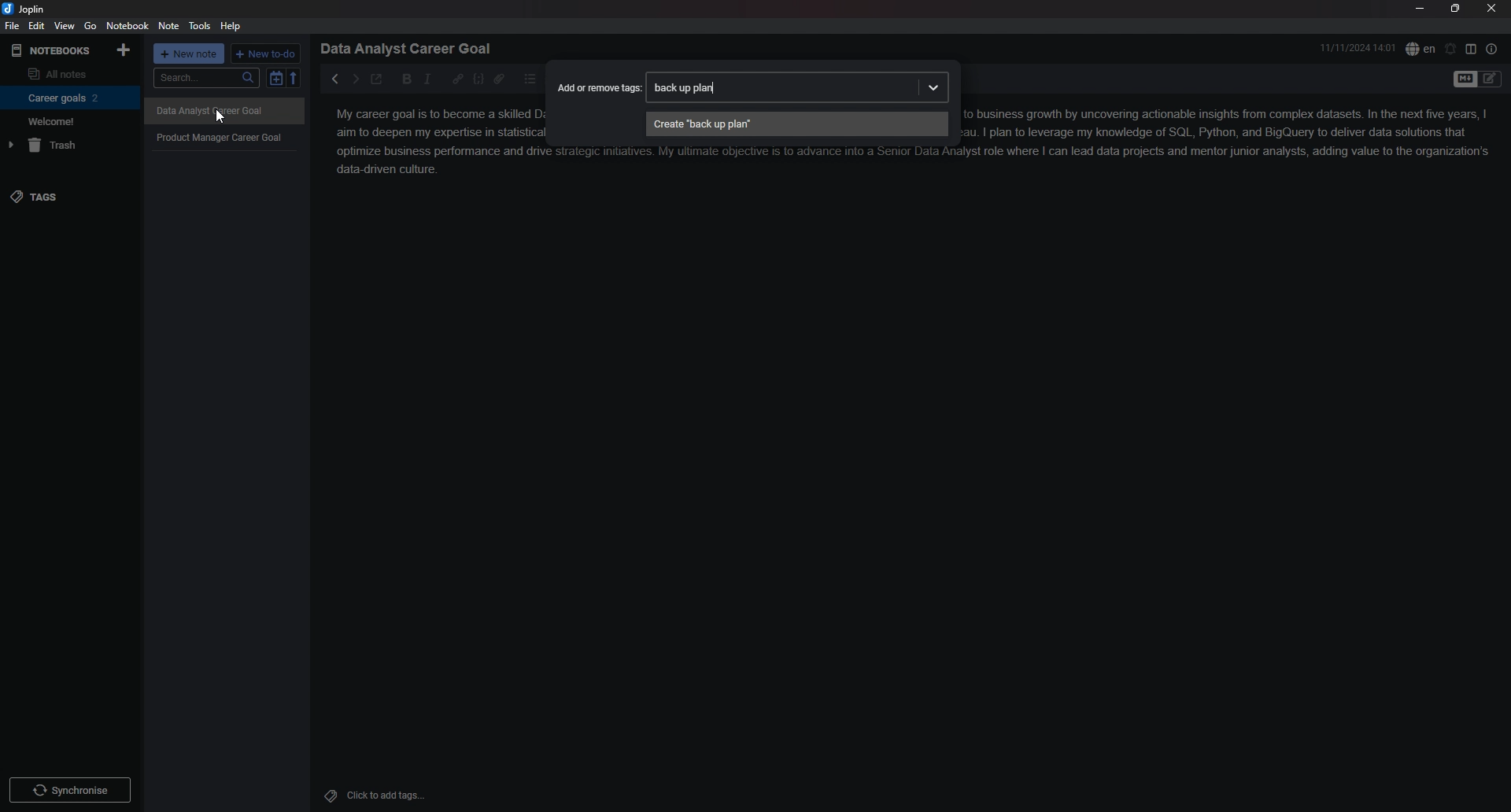 This screenshot has height=812, width=1511. What do you see at coordinates (91, 26) in the screenshot?
I see `go` at bounding box center [91, 26].